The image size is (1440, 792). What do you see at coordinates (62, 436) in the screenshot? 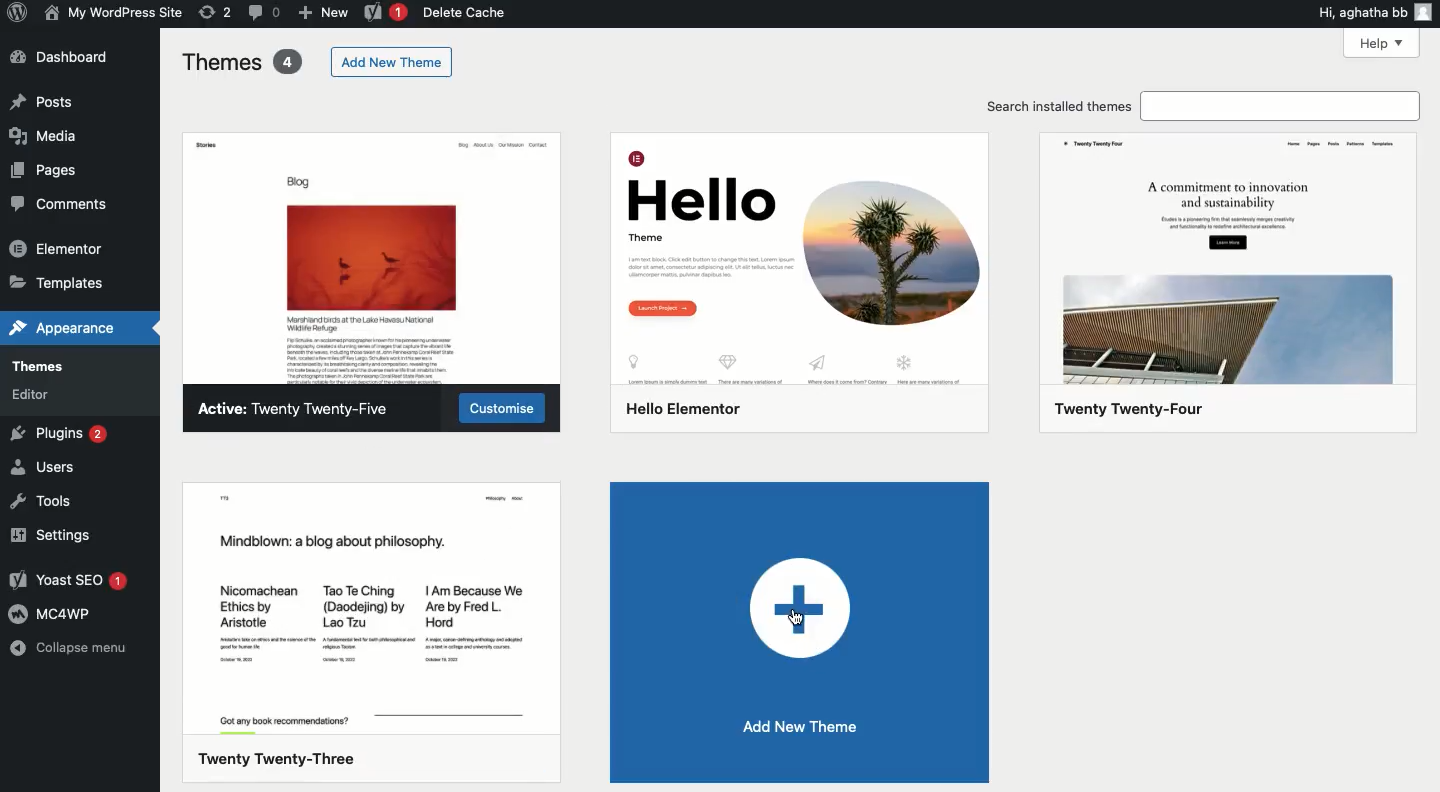
I see `Plugins 2` at bounding box center [62, 436].